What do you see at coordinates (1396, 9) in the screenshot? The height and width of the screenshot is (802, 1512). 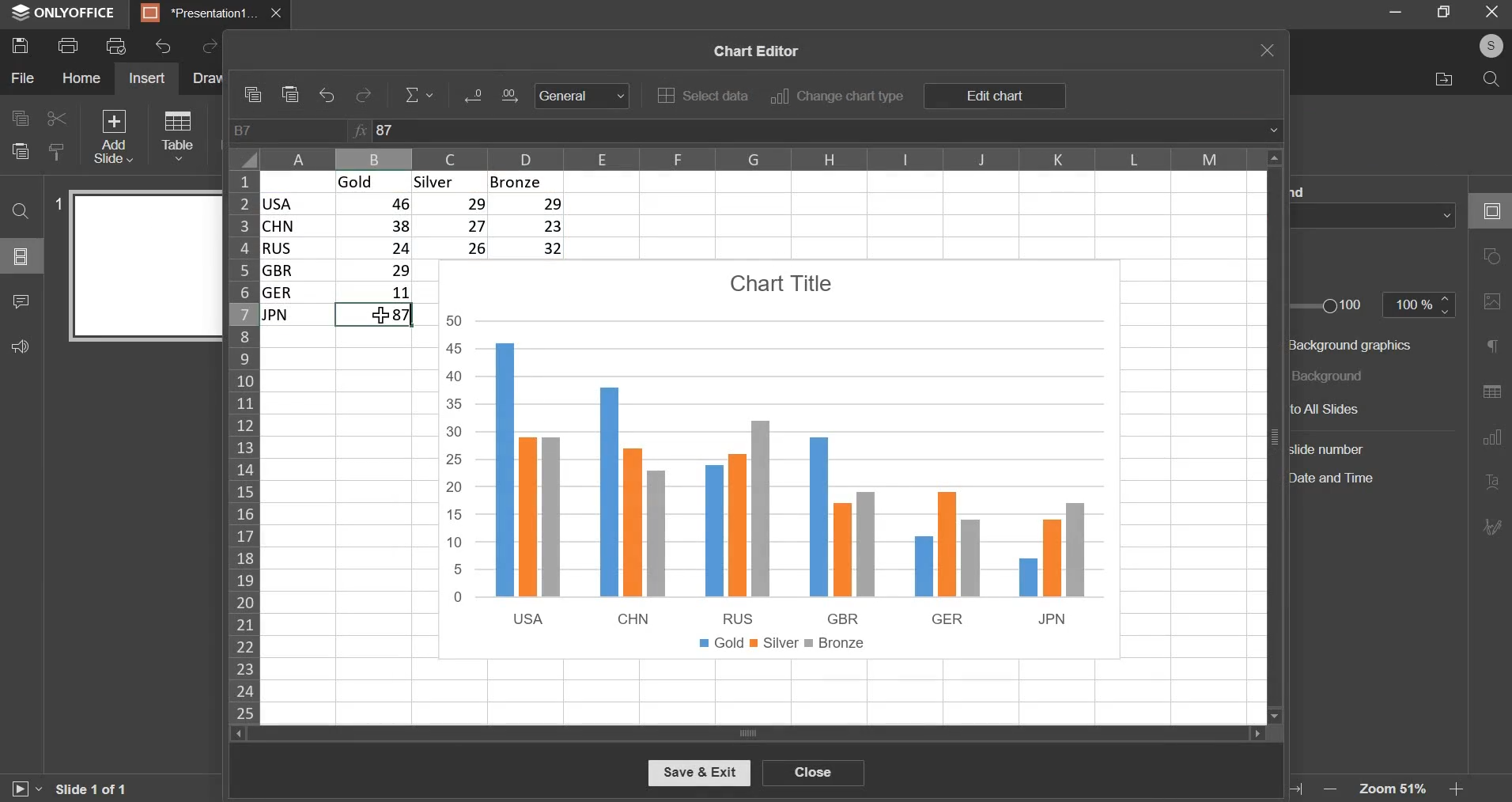 I see `minimize` at bounding box center [1396, 9].